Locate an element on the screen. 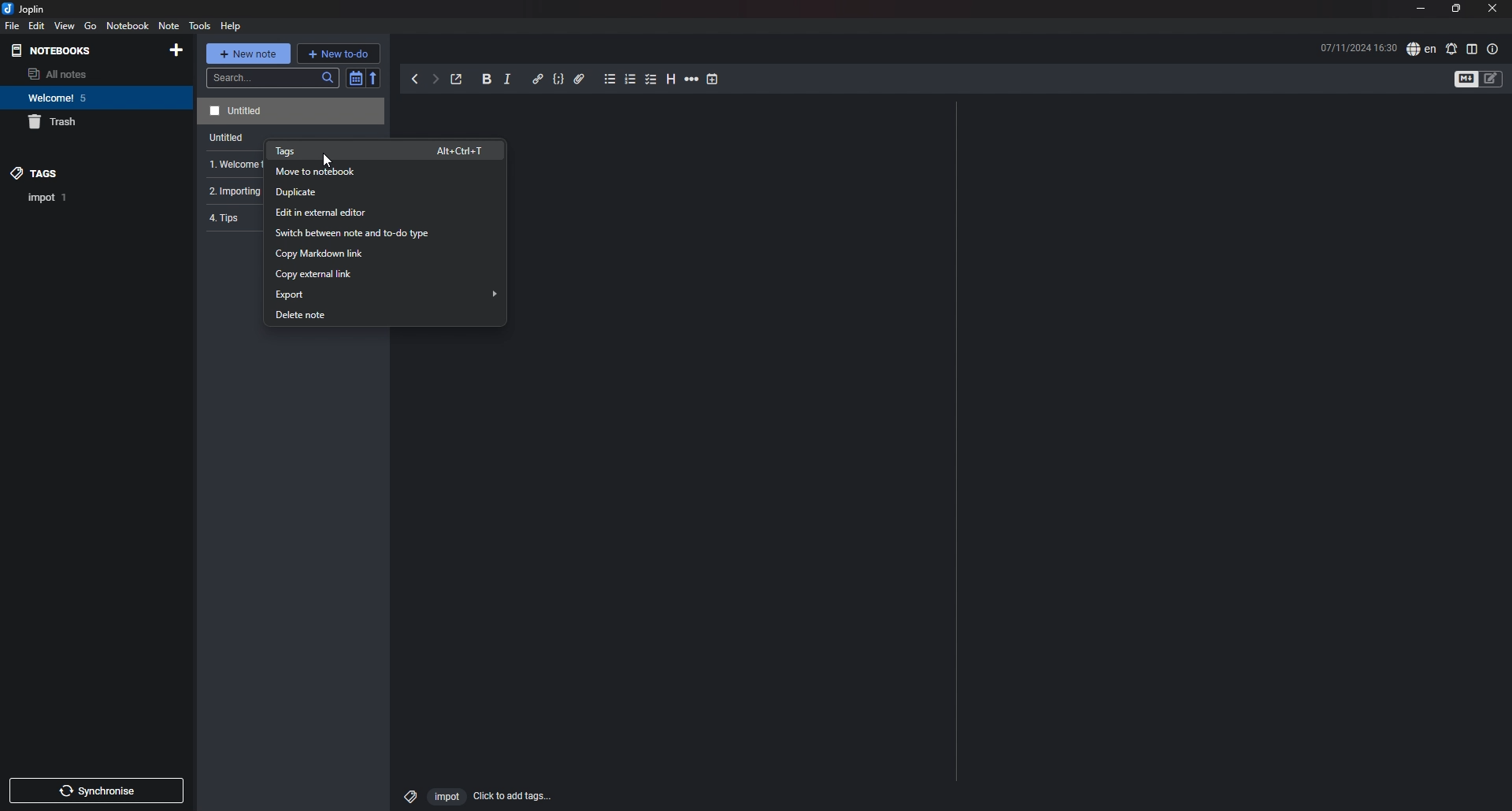 The width and height of the screenshot is (1512, 811). notebook is located at coordinates (80, 98).